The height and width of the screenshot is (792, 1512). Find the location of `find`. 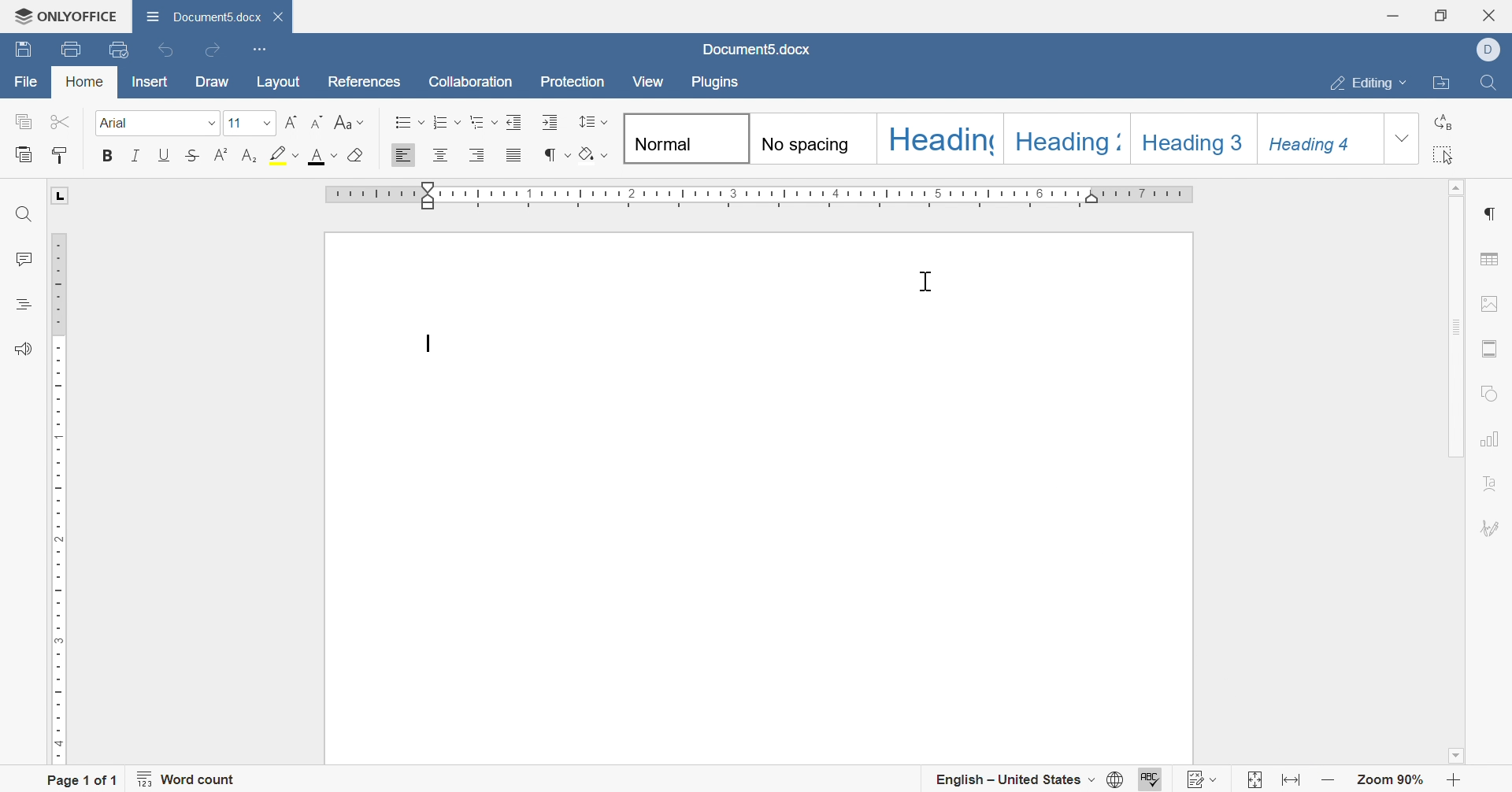

find is located at coordinates (27, 213).